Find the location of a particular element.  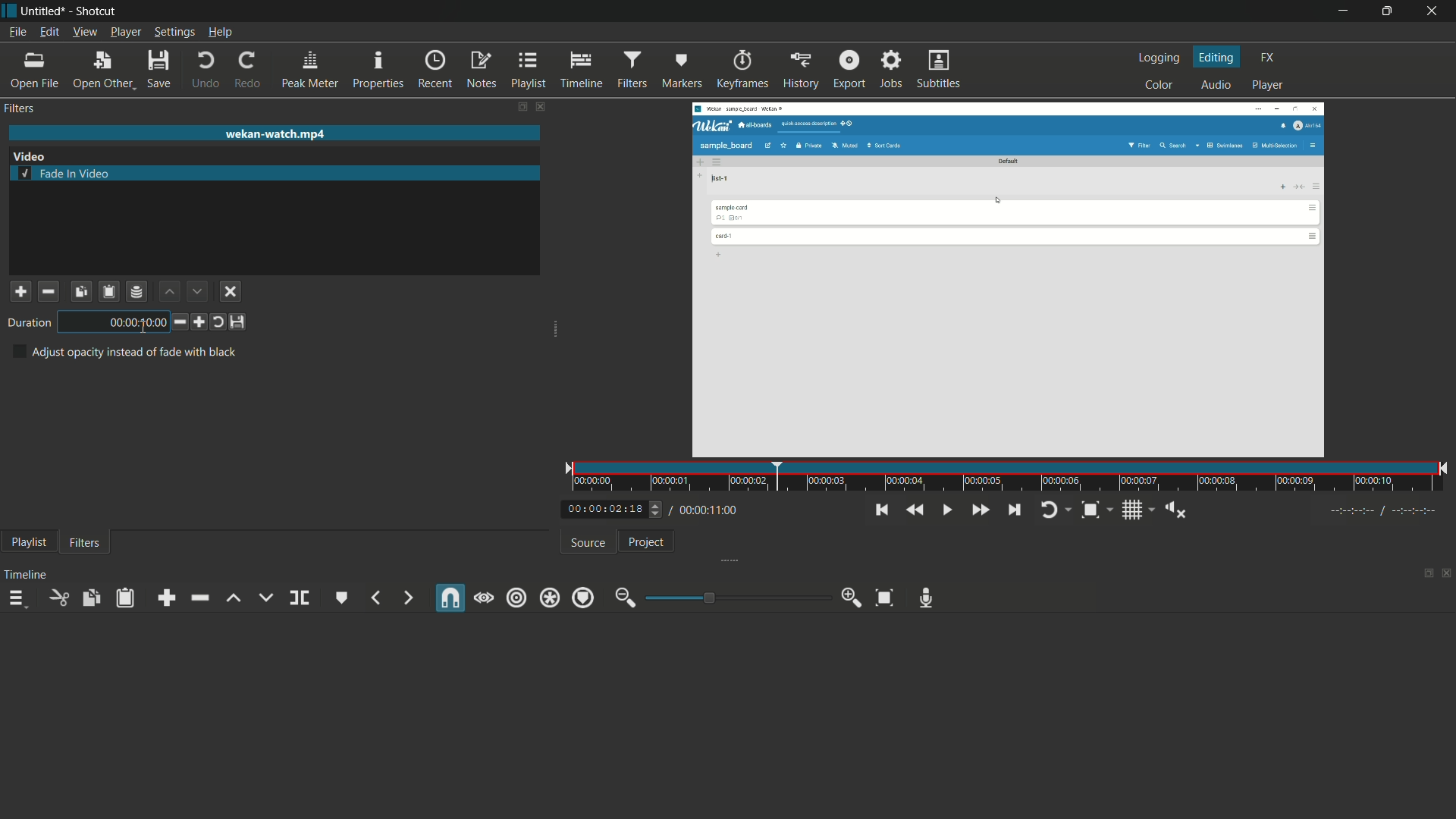

adjust is located at coordinates (651, 509).